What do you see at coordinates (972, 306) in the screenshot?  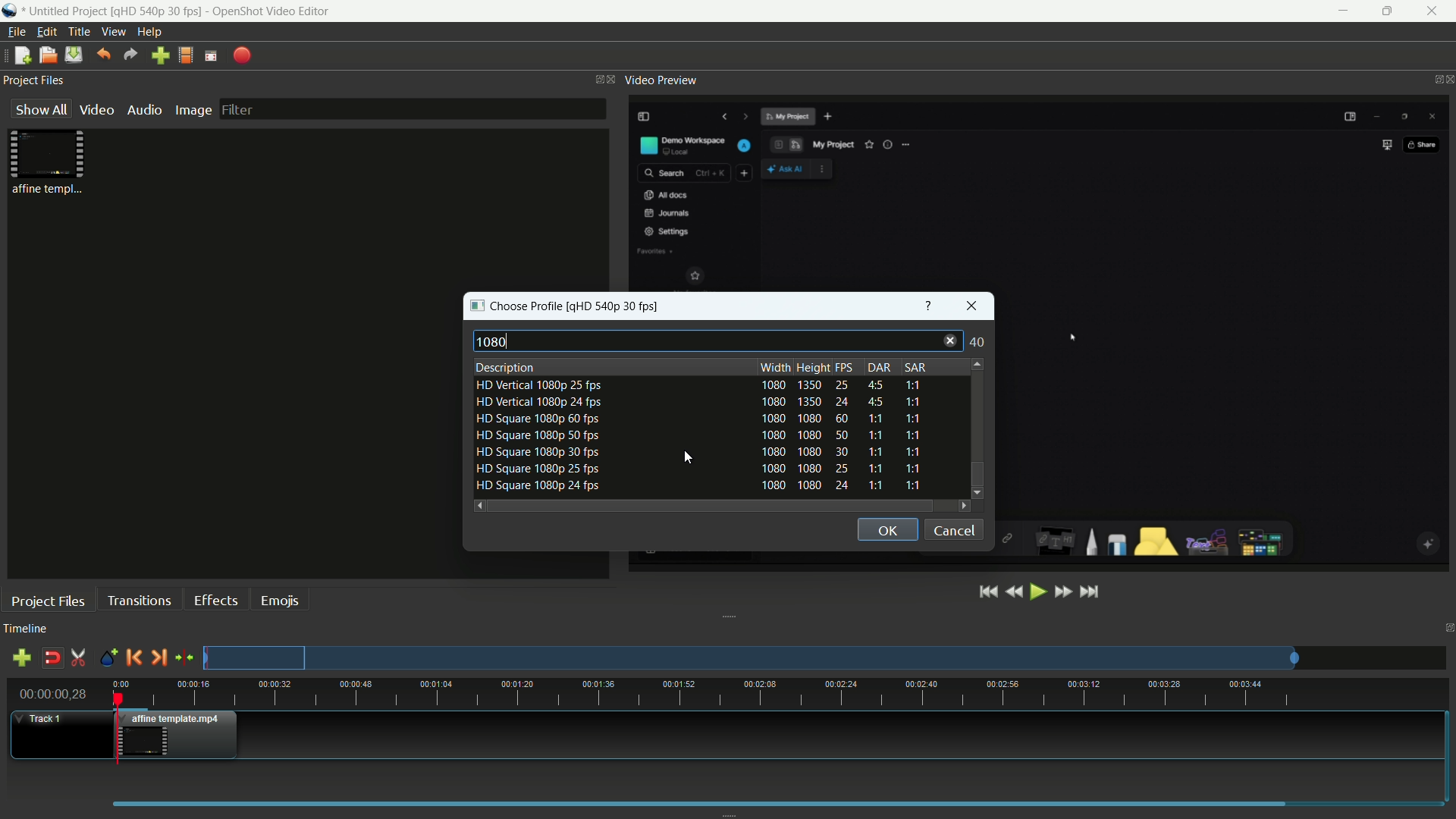 I see `close window` at bounding box center [972, 306].